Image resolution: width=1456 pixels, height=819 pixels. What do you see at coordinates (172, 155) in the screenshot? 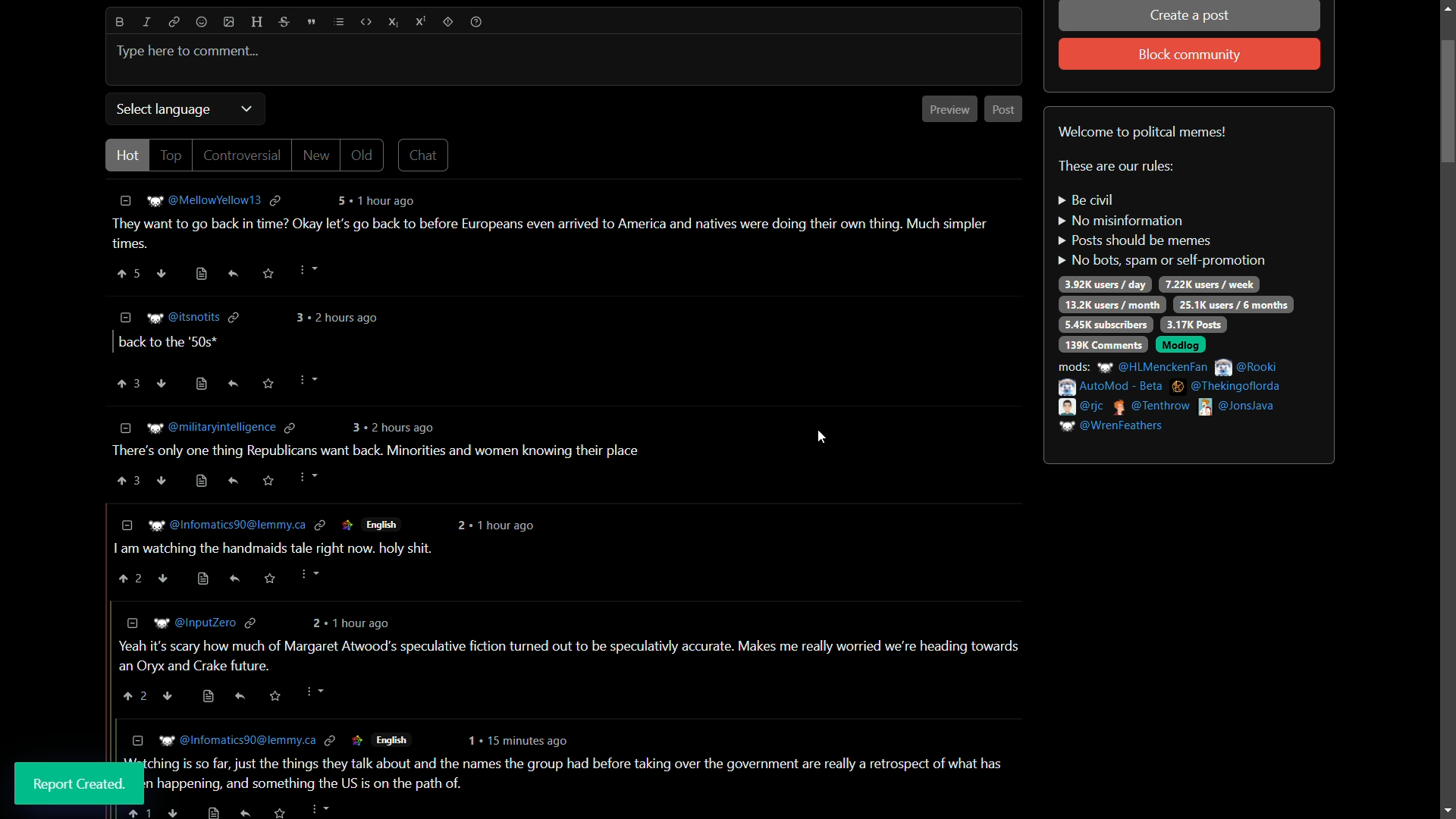
I see `top` at bounding box center [172, 155].